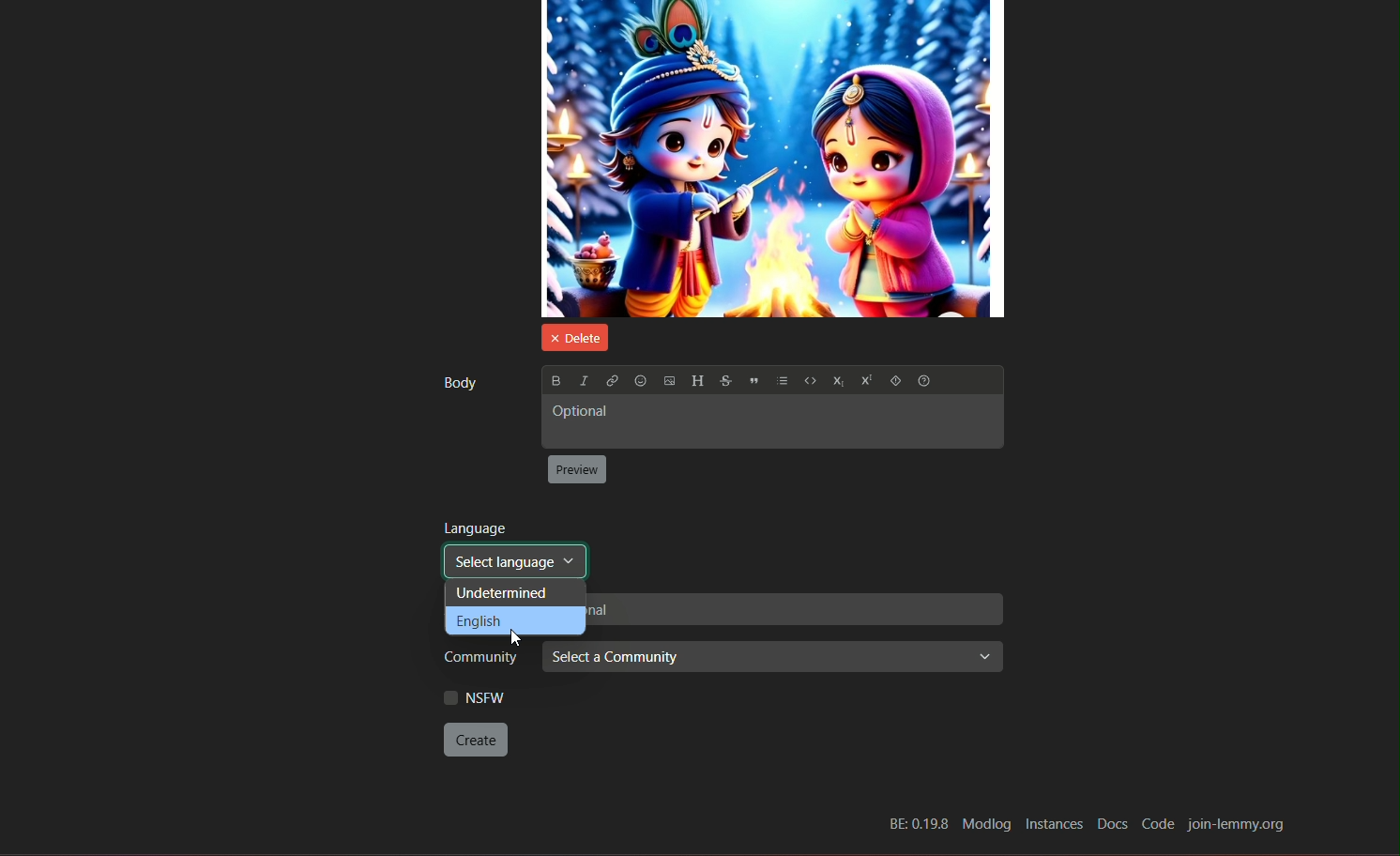 This screenshot has width=1400, height=856. Describe the element at coordinates (809, 383) in the screenshot. I see `embed` at that location.